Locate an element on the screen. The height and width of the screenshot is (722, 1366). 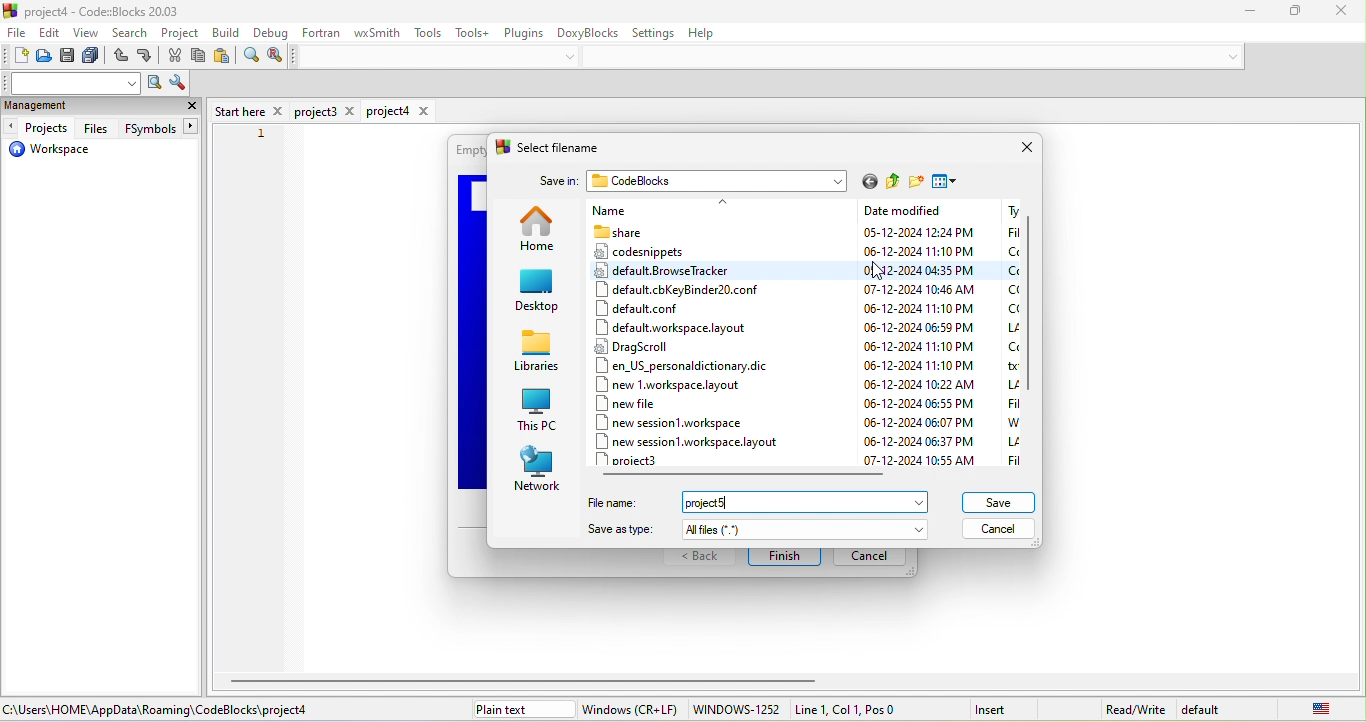
date modified is located at coordinates (920, 336).